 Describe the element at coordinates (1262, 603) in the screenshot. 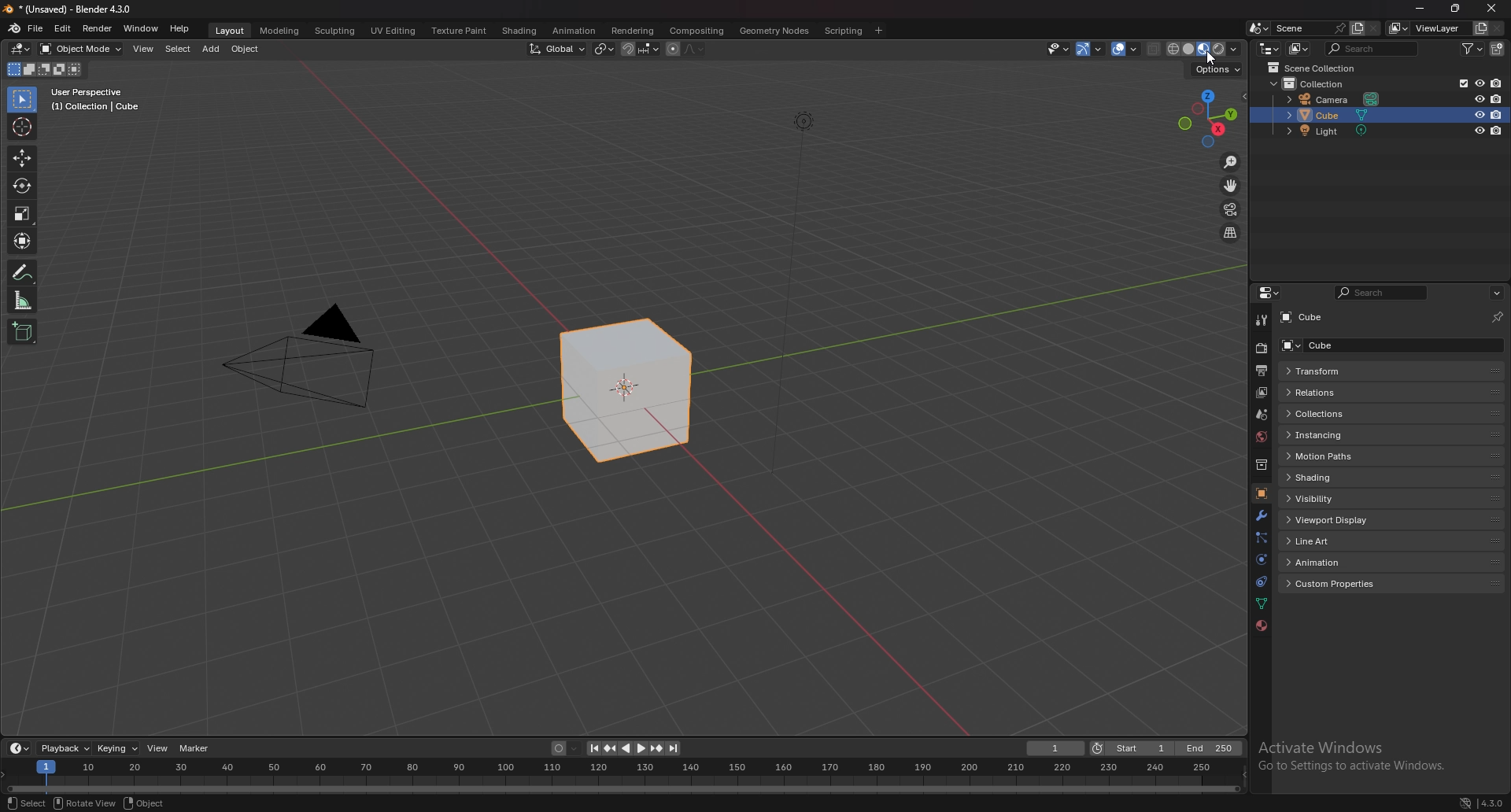

I see `data` at that location.